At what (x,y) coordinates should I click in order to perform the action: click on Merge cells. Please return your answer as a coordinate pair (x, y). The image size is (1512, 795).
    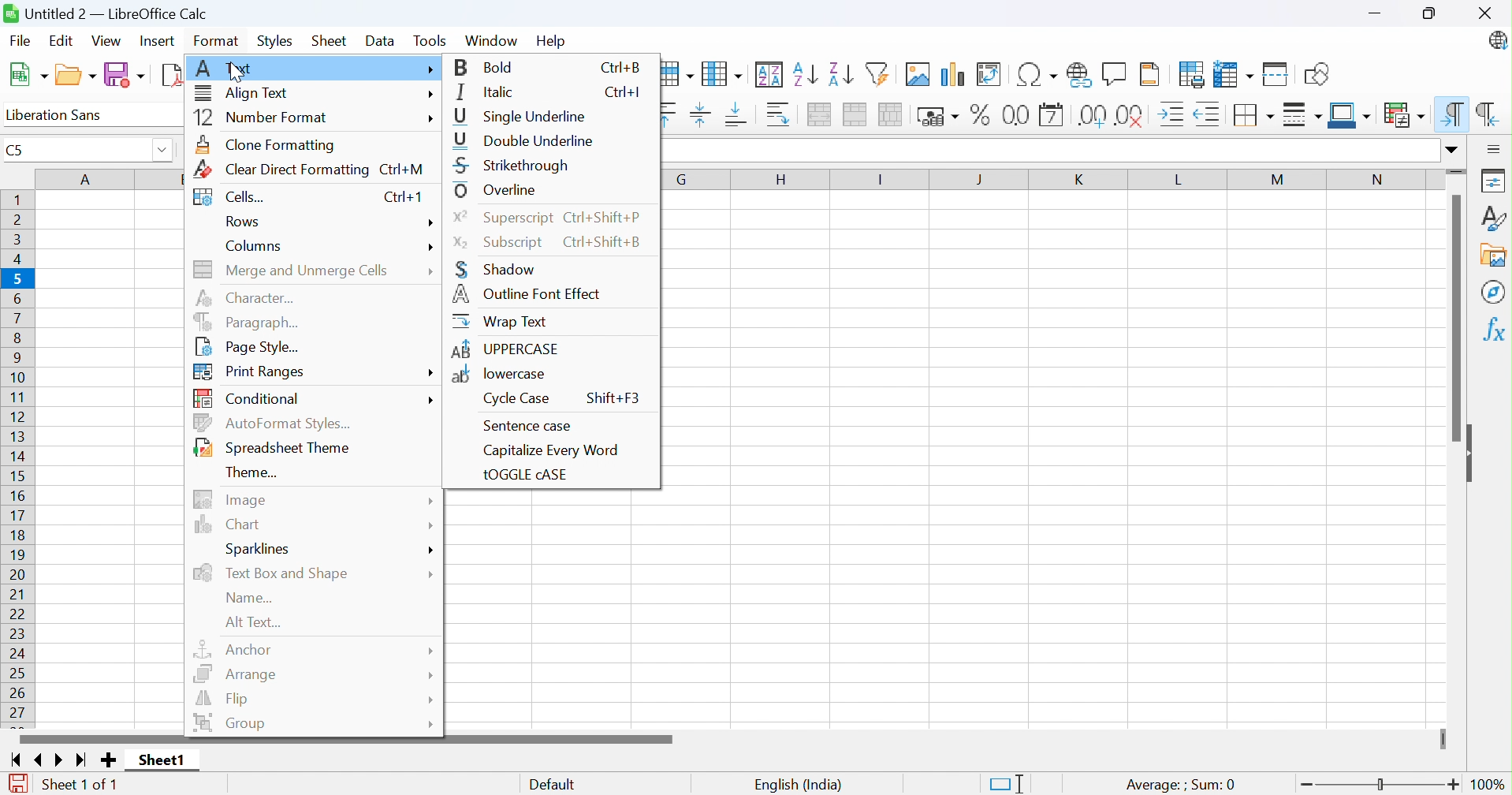
    Looking at the image, I should click on (855, 115).